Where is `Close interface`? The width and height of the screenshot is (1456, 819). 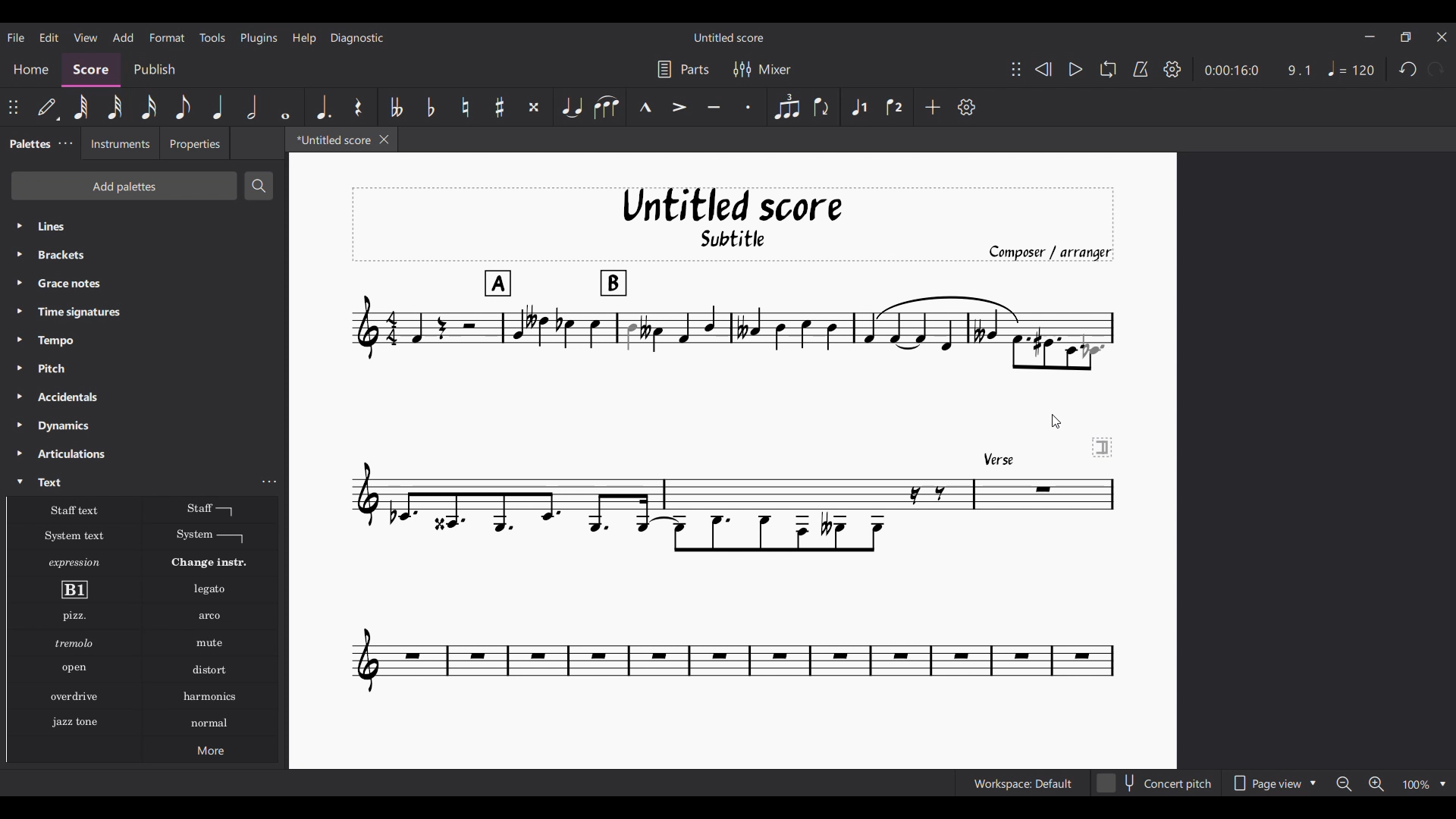 Close interface is located at coordinates (1442, 37).